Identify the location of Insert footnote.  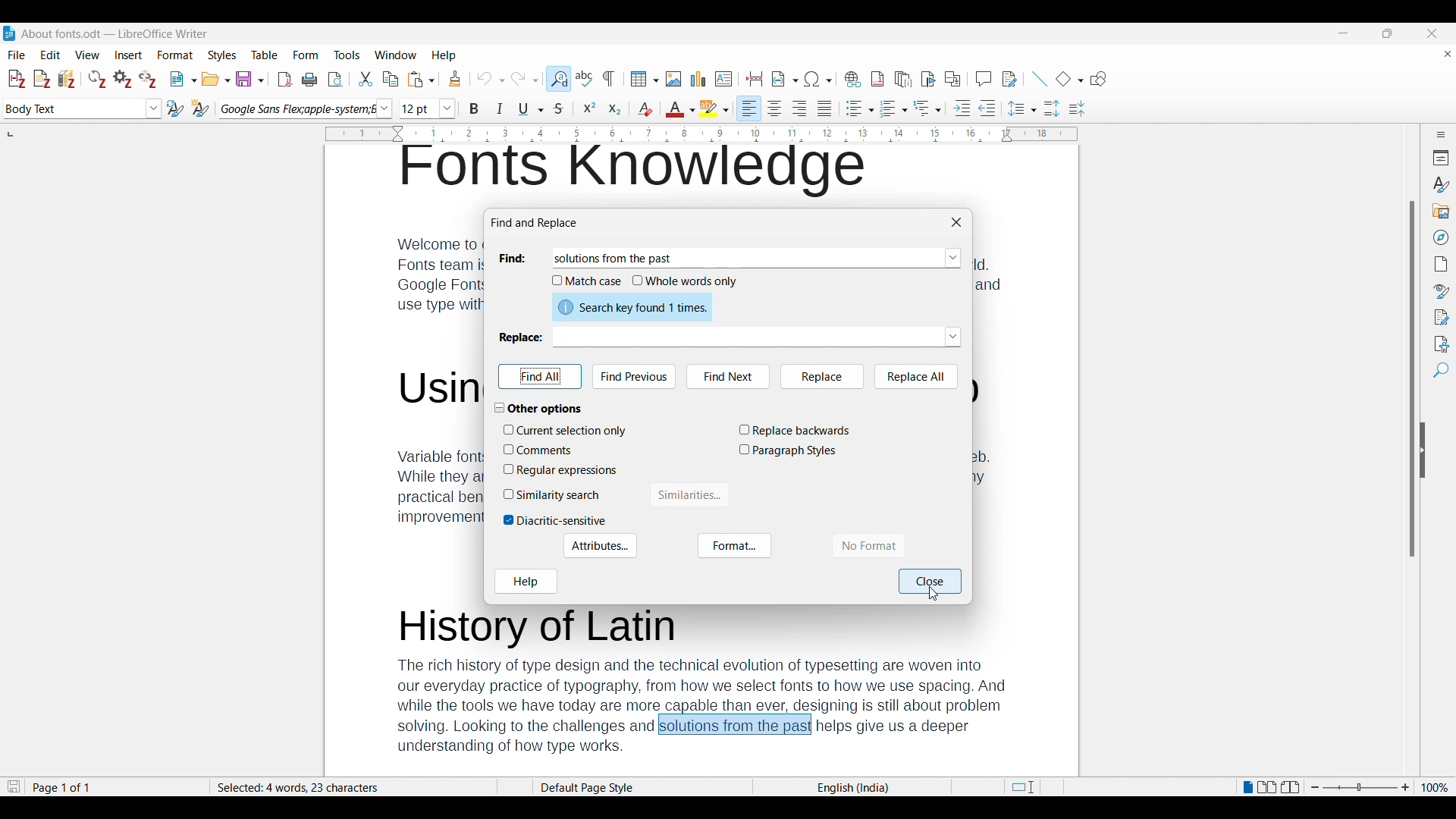
(877, 79).